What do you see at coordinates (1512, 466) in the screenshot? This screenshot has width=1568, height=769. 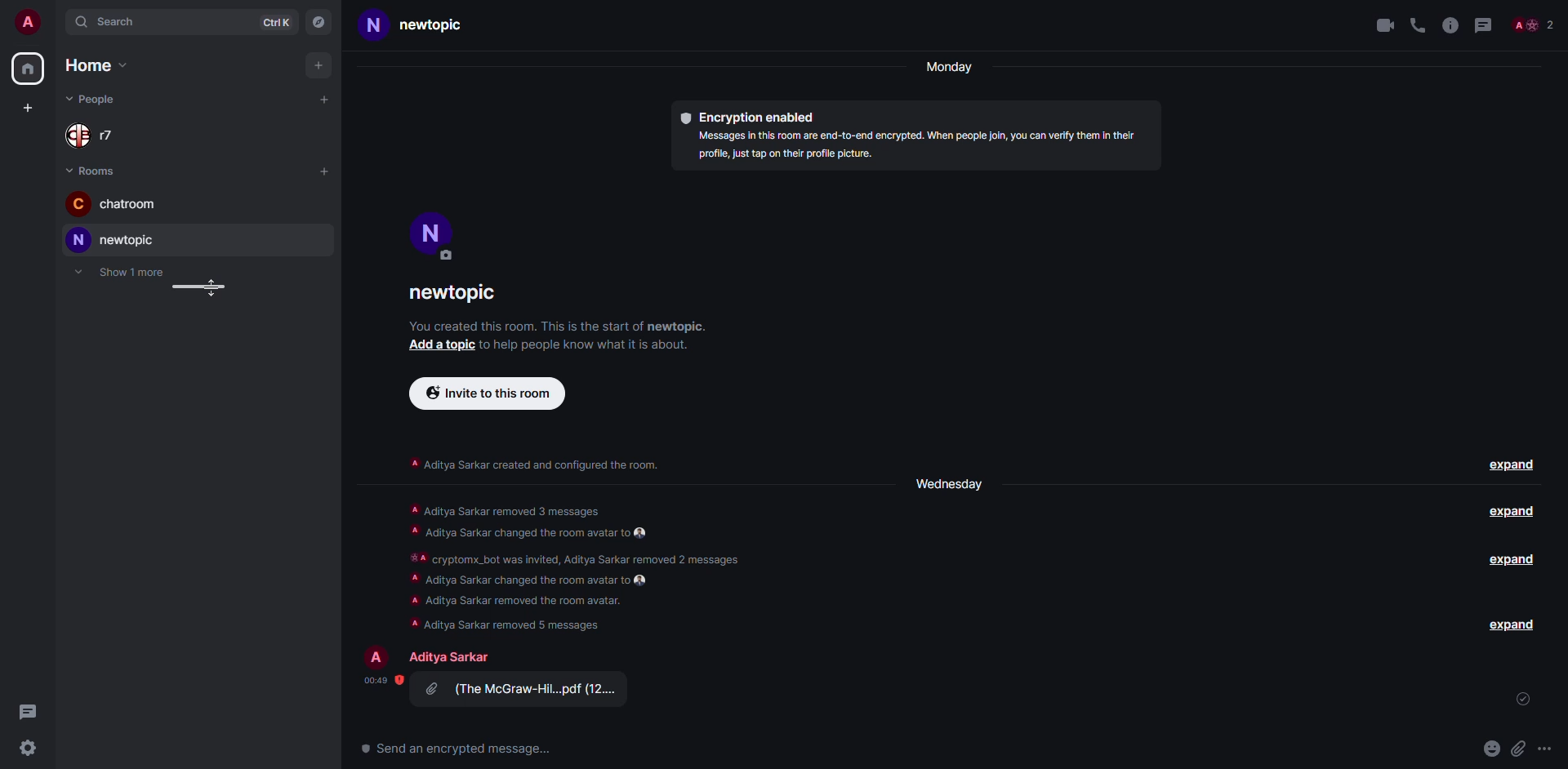 I see `expand` at bounding box center [1512, 466].